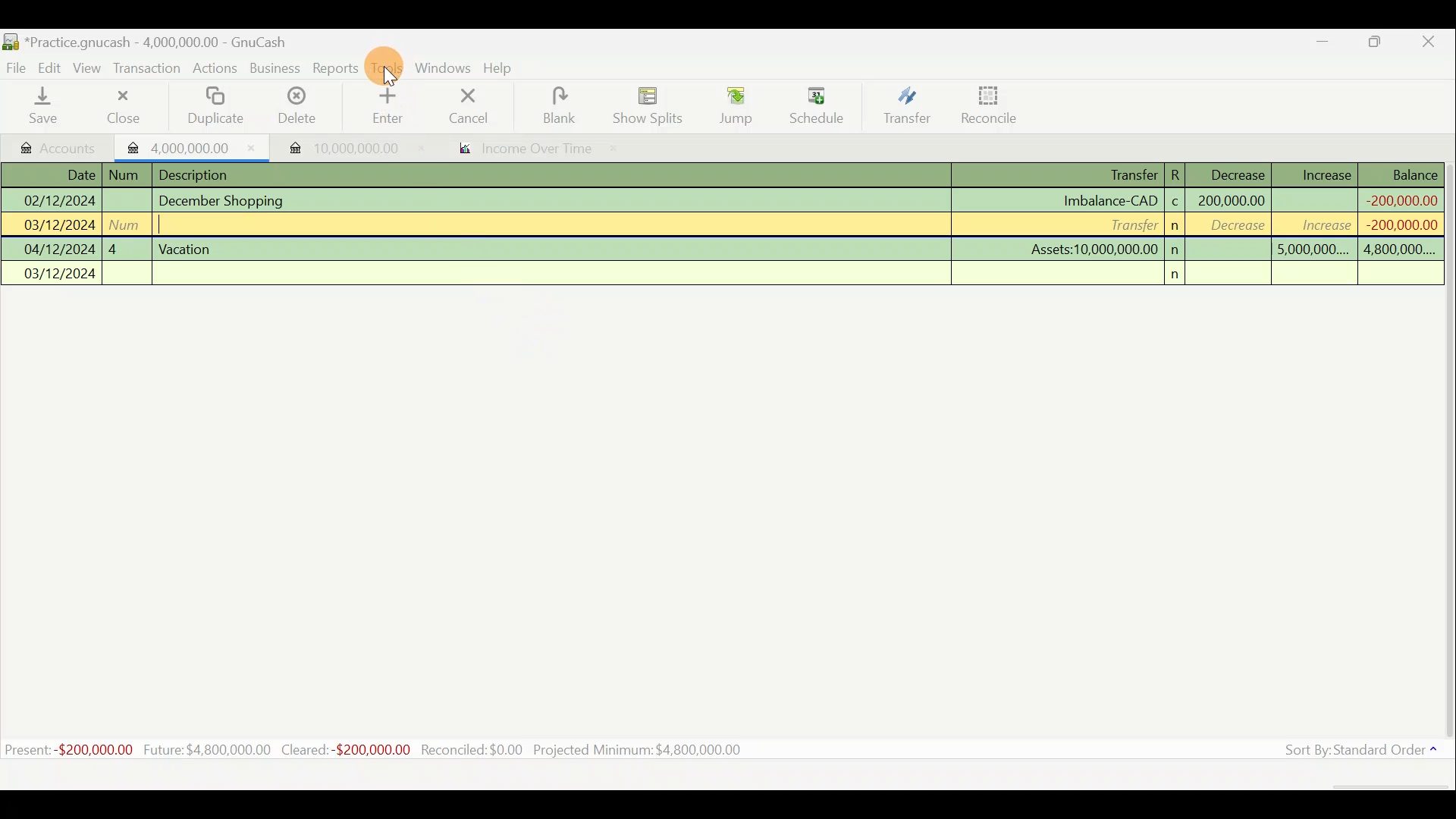 This screenshot has height=819, width=1456. What do you see at coordinates (46, 107) in the screenshot?
I see `Save` at bounding box center [46, 107].